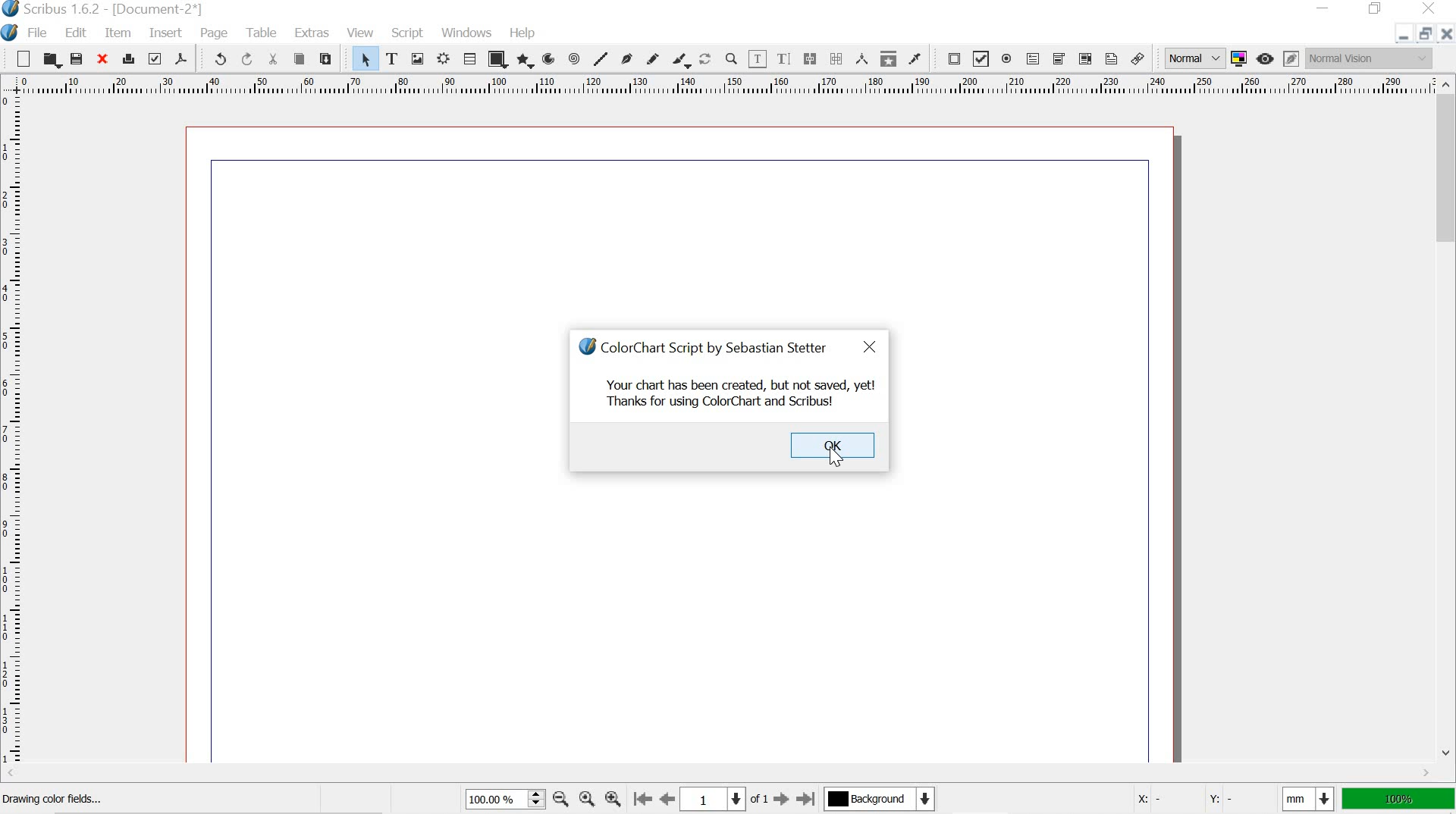 The width and height of the screenshot is (1456, 814). What do you see at coordinates (52, 60) in the screenshot?
I see `open` at bounding box center [52, 60].